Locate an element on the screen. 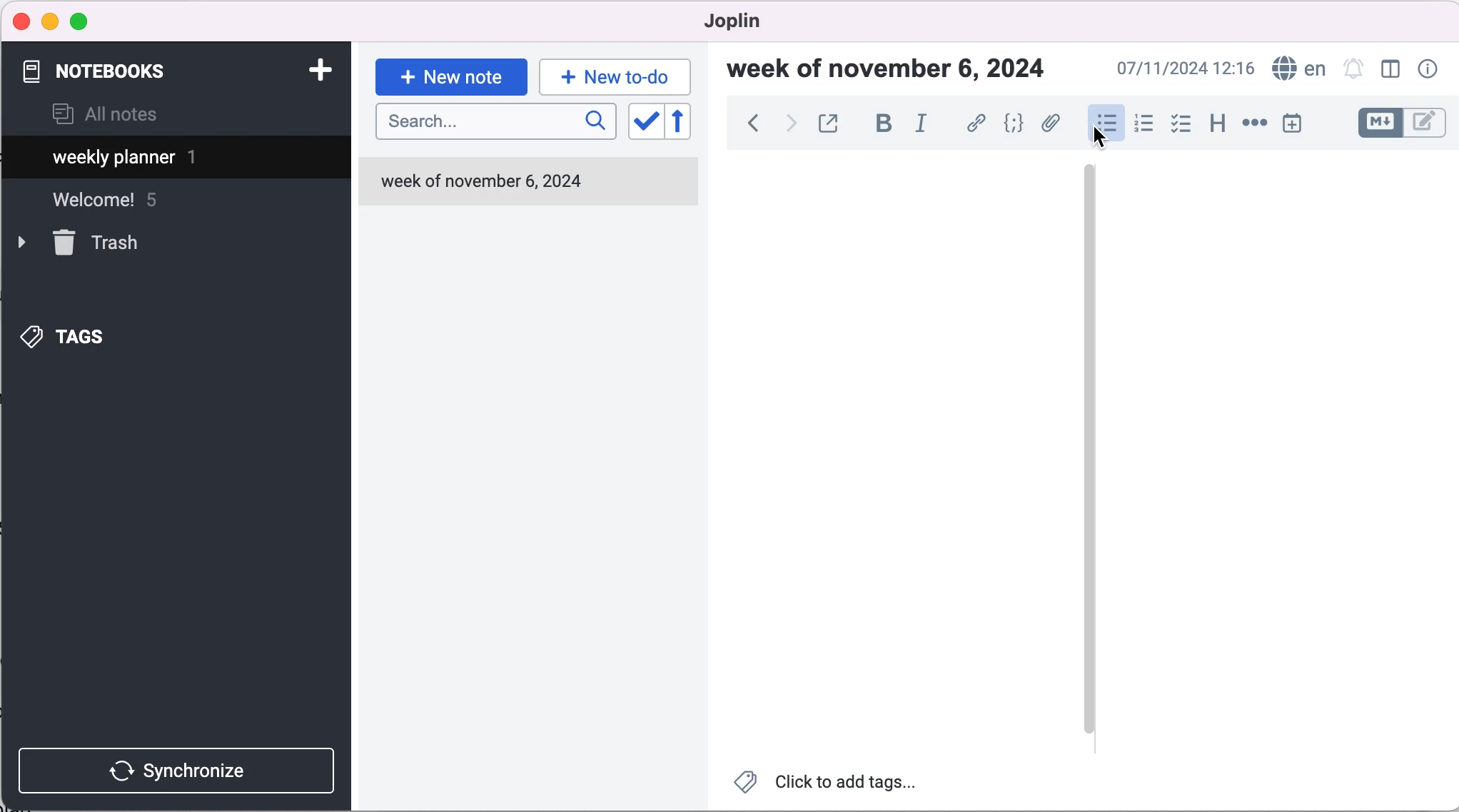 Image resolution: width=1459 pixels, height=812 pixels. toggle editors is located at coordinates (1402, 125).